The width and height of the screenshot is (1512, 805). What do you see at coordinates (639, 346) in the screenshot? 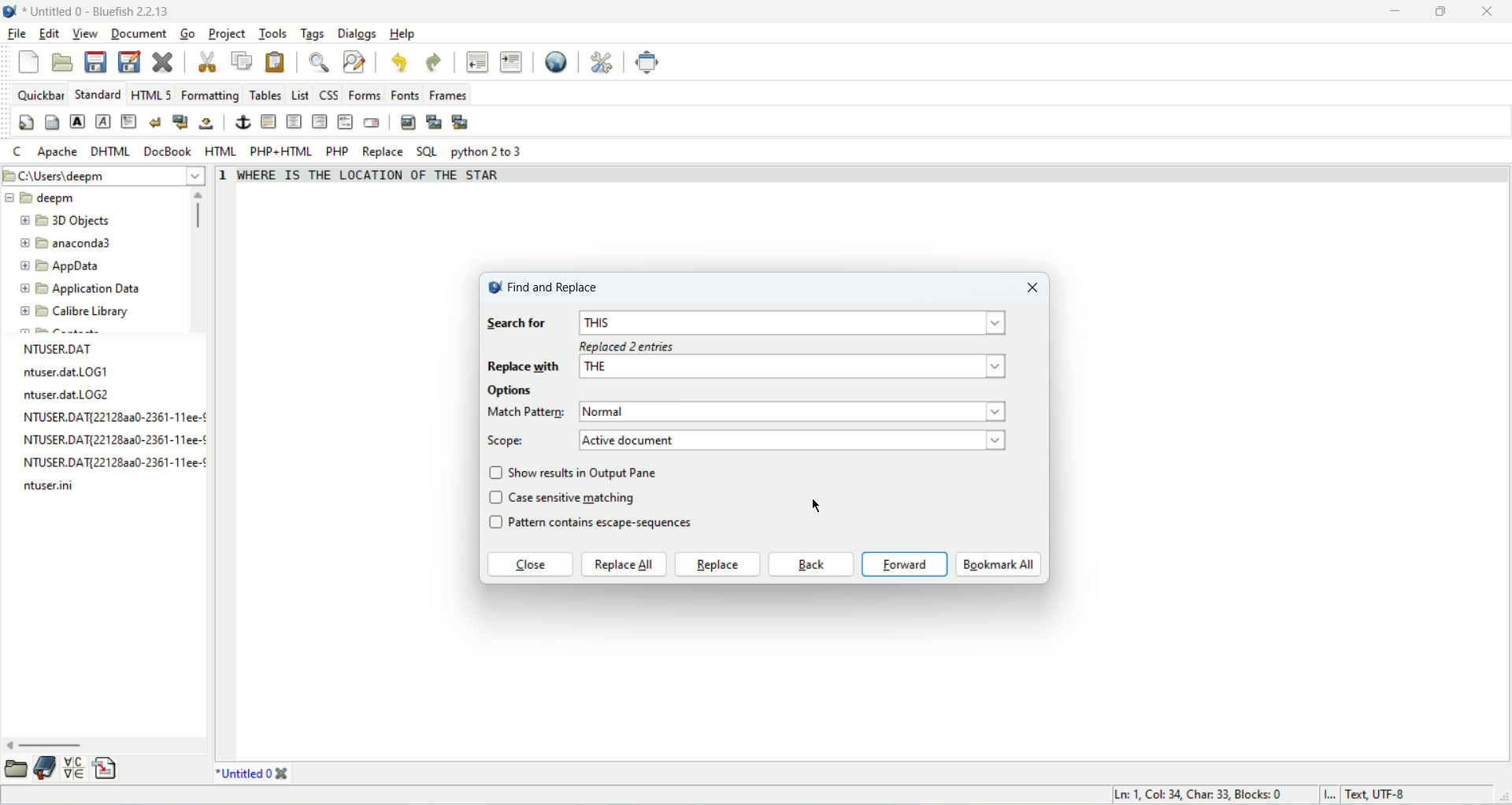
I see `replaced 2 entries` at bounding box center [639, 346].